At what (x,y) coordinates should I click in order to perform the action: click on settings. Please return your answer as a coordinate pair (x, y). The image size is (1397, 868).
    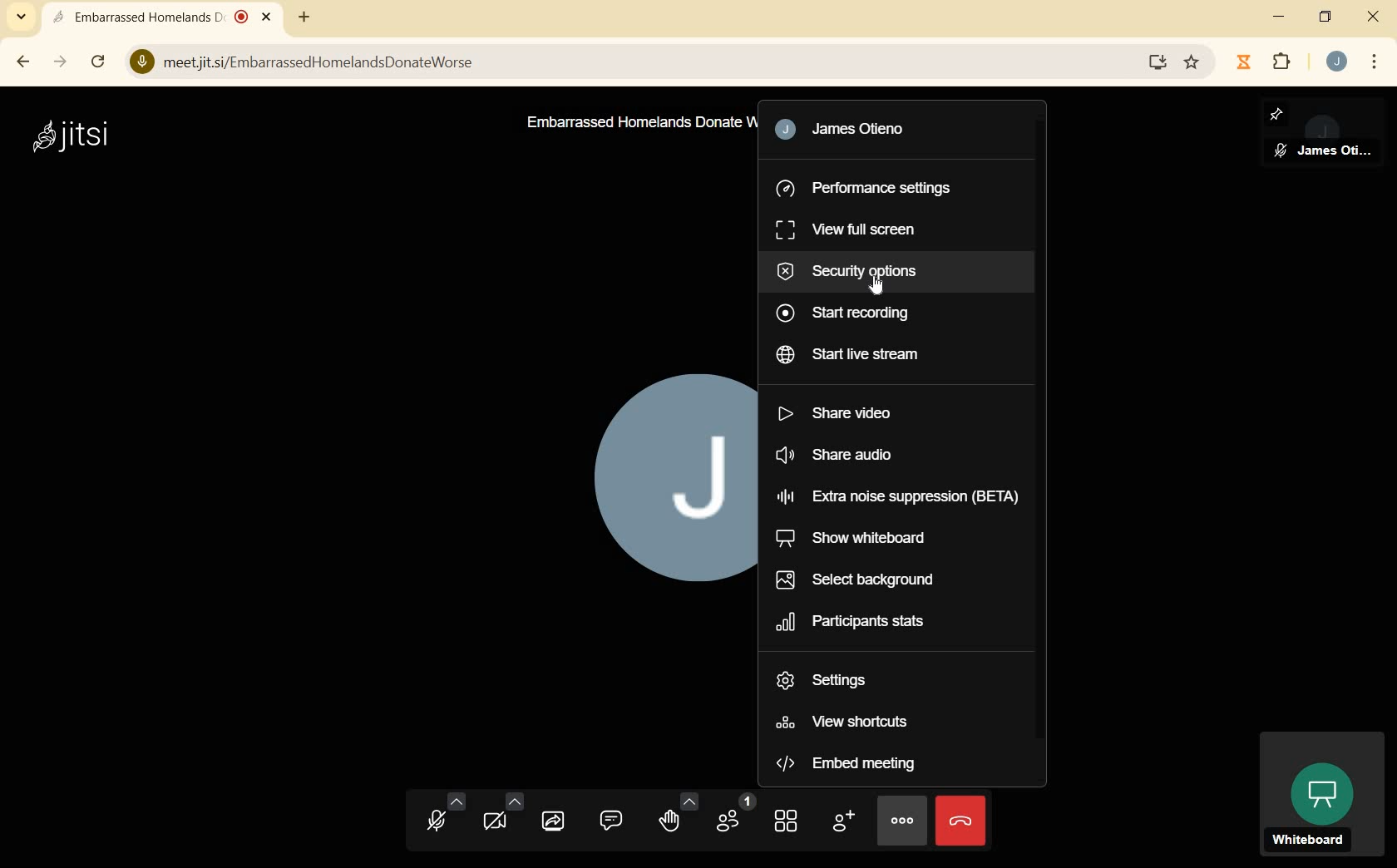
    Looking at the image, I should click on (830, 683).